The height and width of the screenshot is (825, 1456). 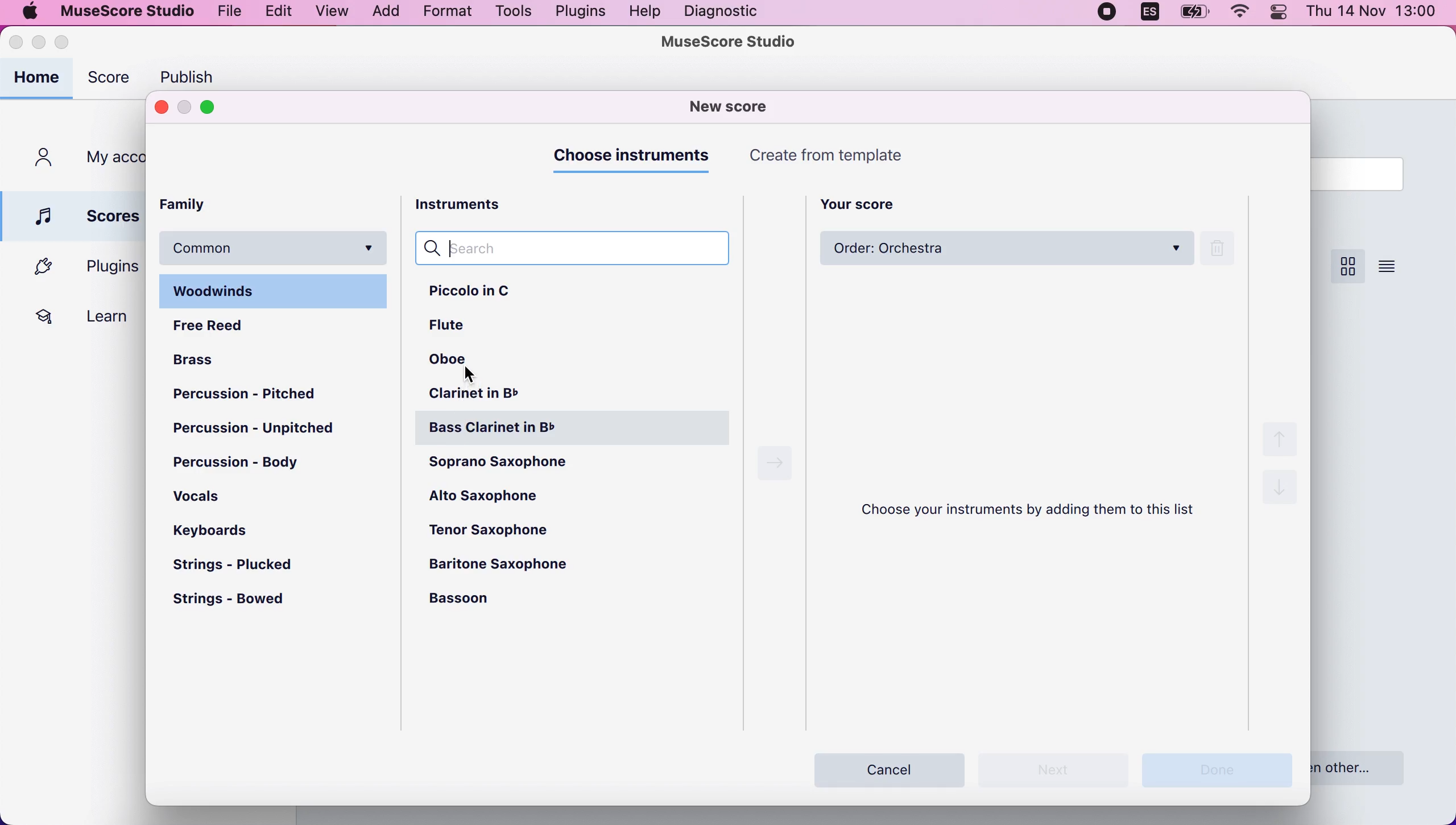 I want to click on diagnostic, so click(x=721, y=12).